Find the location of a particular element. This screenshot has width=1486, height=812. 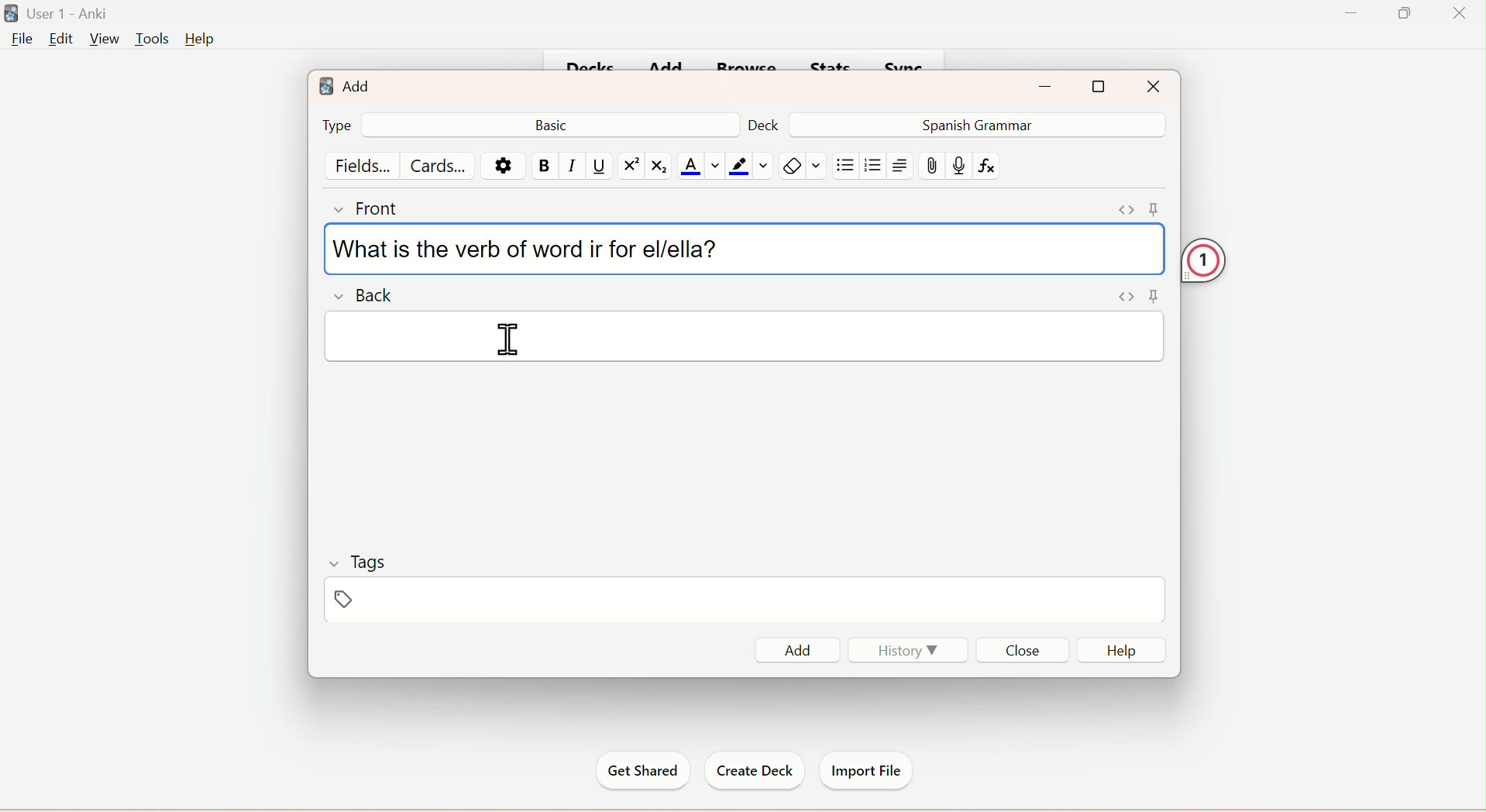

Maximize is located at coordinates (1100, 86).